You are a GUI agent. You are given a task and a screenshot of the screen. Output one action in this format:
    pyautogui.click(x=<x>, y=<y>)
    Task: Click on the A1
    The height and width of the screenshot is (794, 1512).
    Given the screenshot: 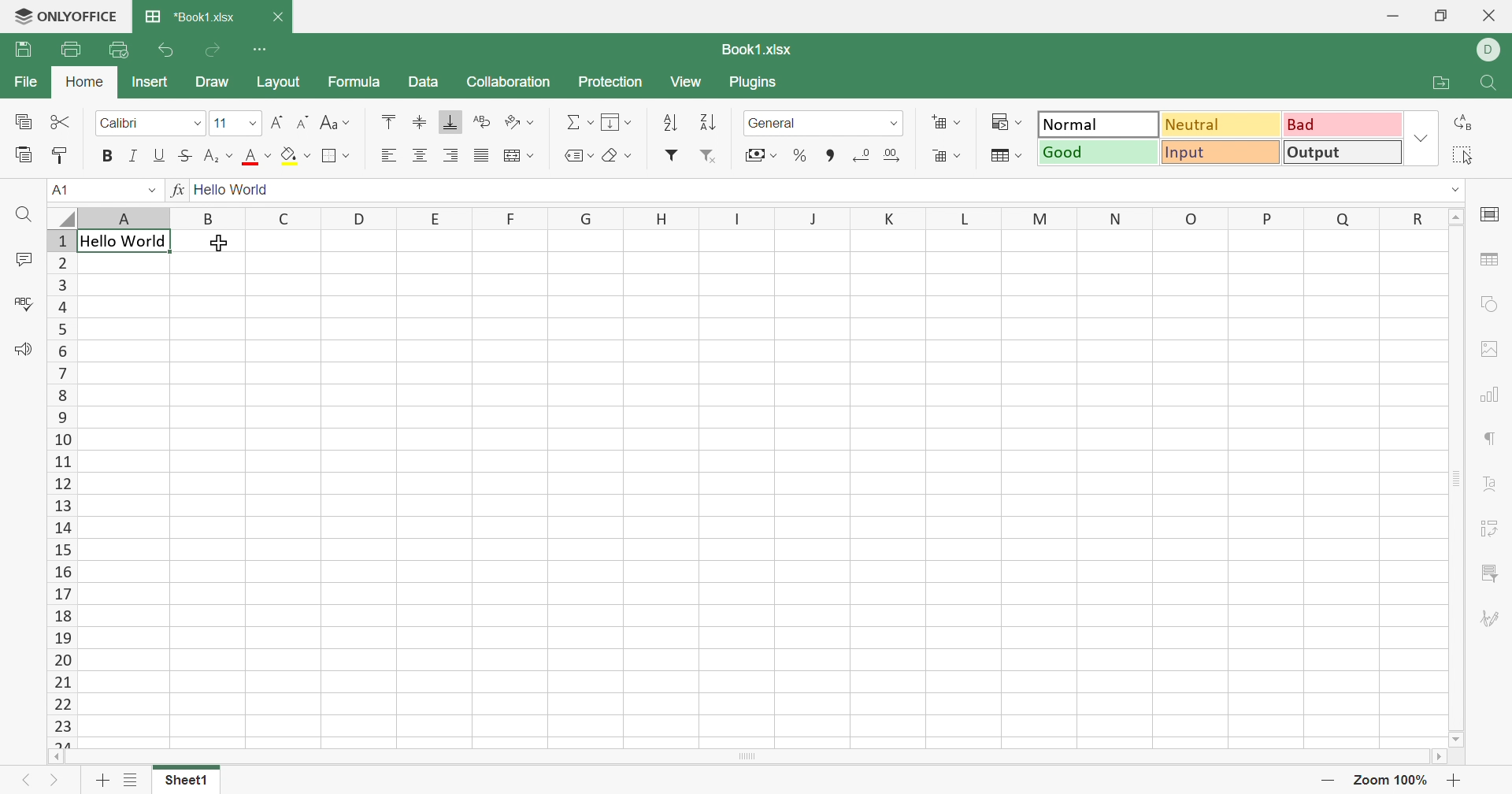 What is the action you would take?
    pyautogui.click(x=67, y=189)
    